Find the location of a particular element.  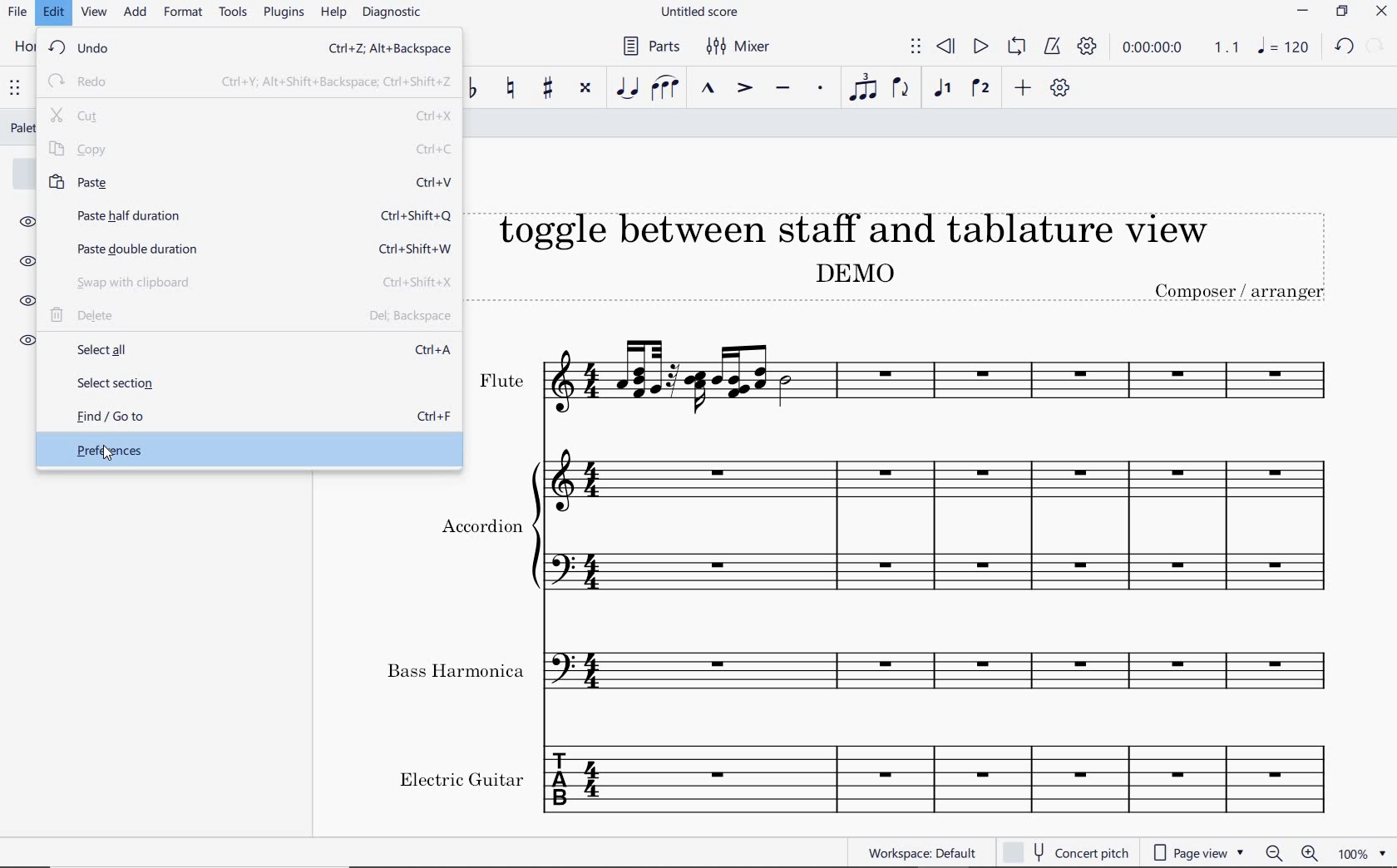

staccato is located at coordinates (820, 90).